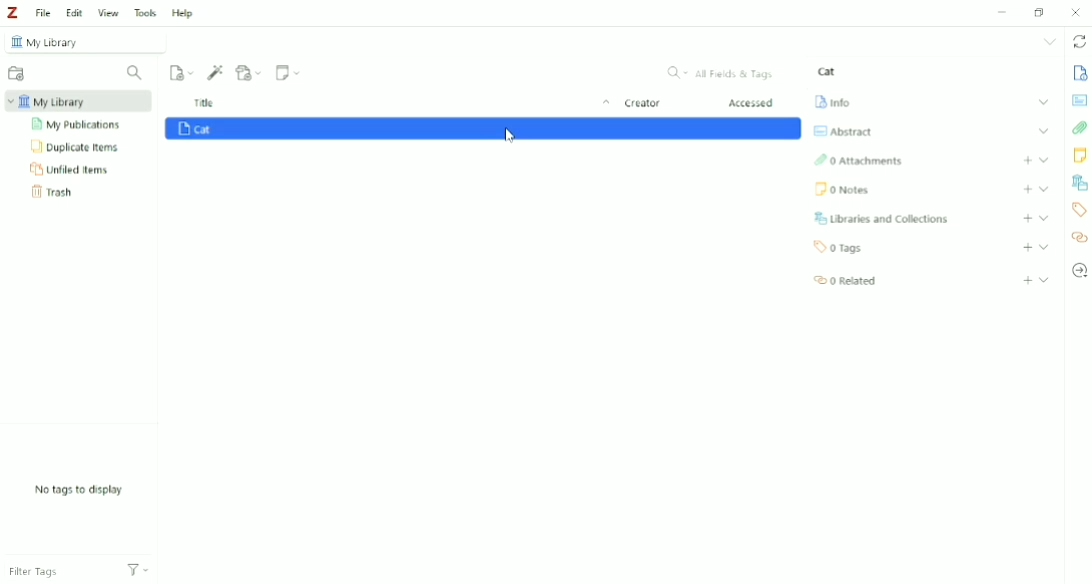  Describe the element at coordinates (880, 218) in the screenshot. I see `Libraries and Collections` at that location.